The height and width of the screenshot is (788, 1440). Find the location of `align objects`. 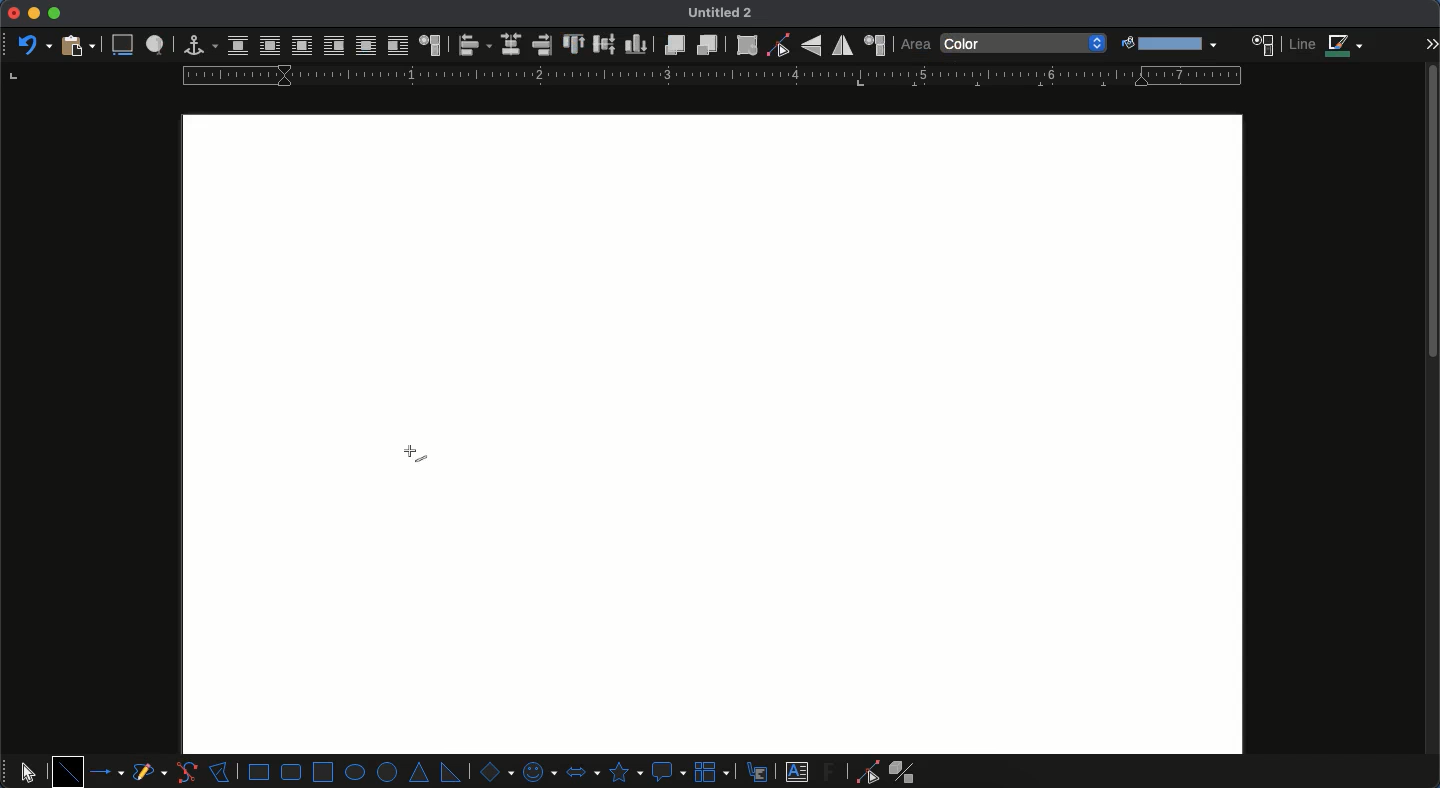

align objects is located at coordinates (475, 45).